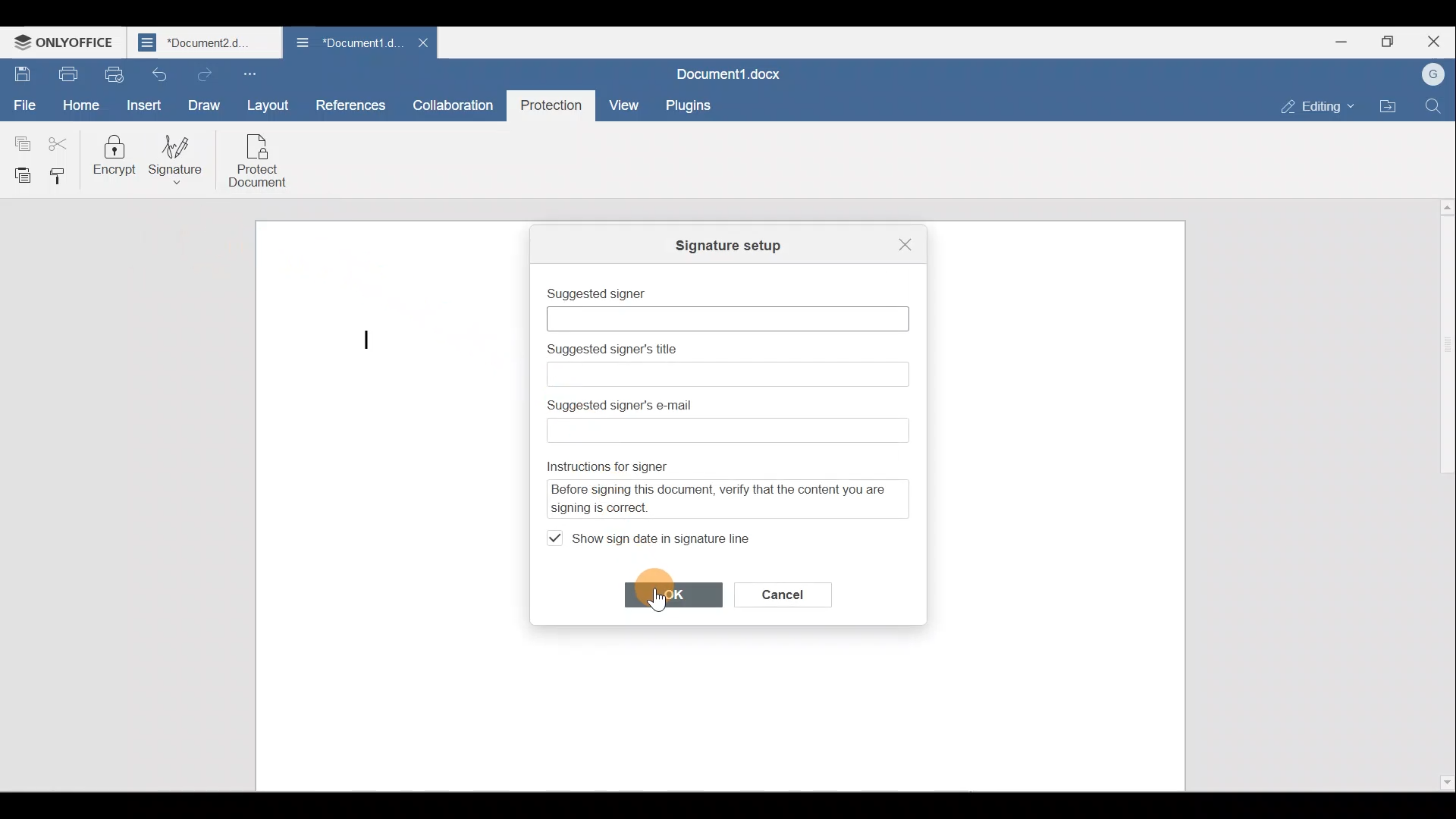 The width and height of the screenshot is (1456, 819). I want to click on Paste, so click(17, 170).